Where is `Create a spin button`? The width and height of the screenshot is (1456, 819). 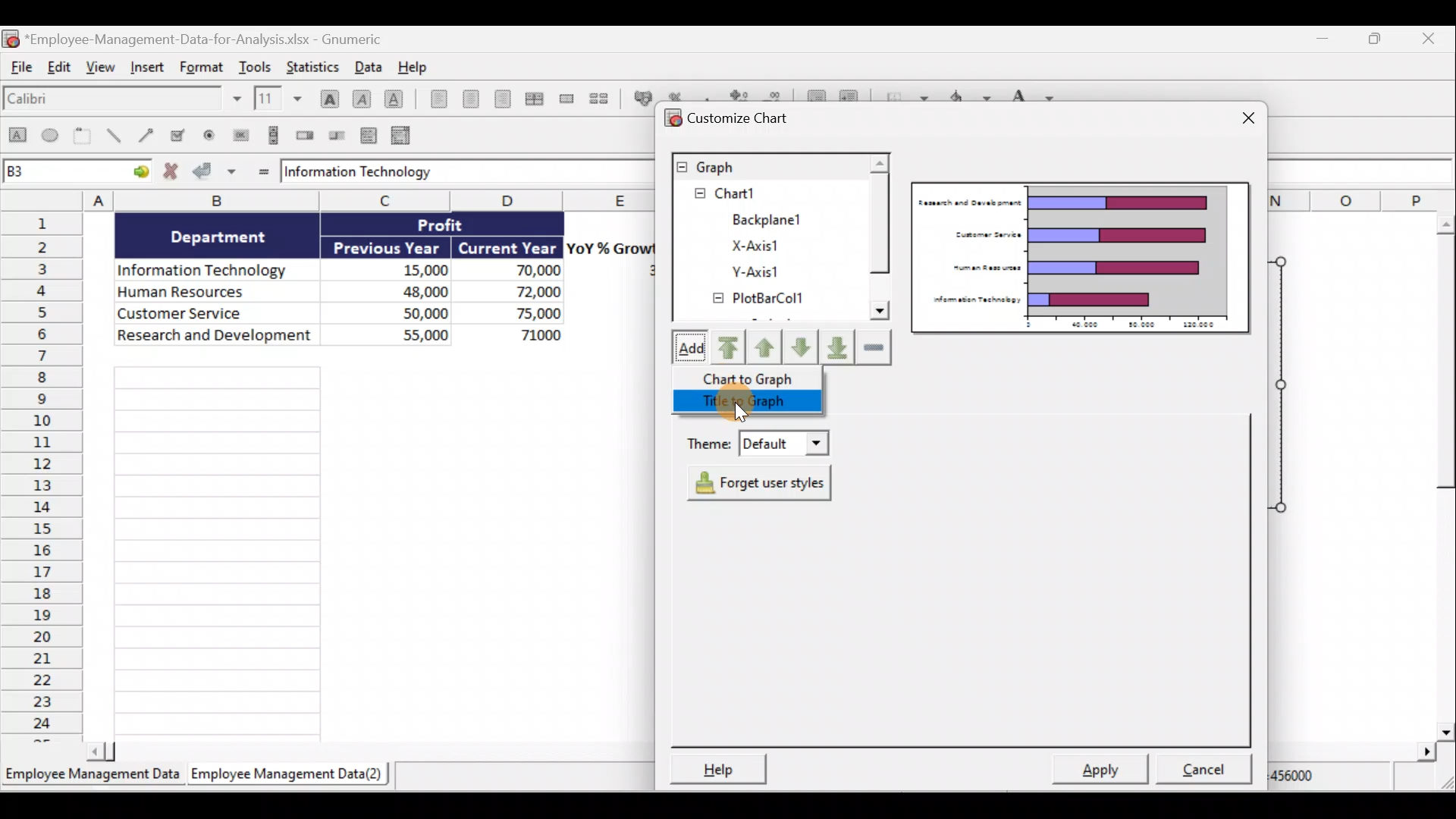 Create a spin button is located at coordinates (306, 134).